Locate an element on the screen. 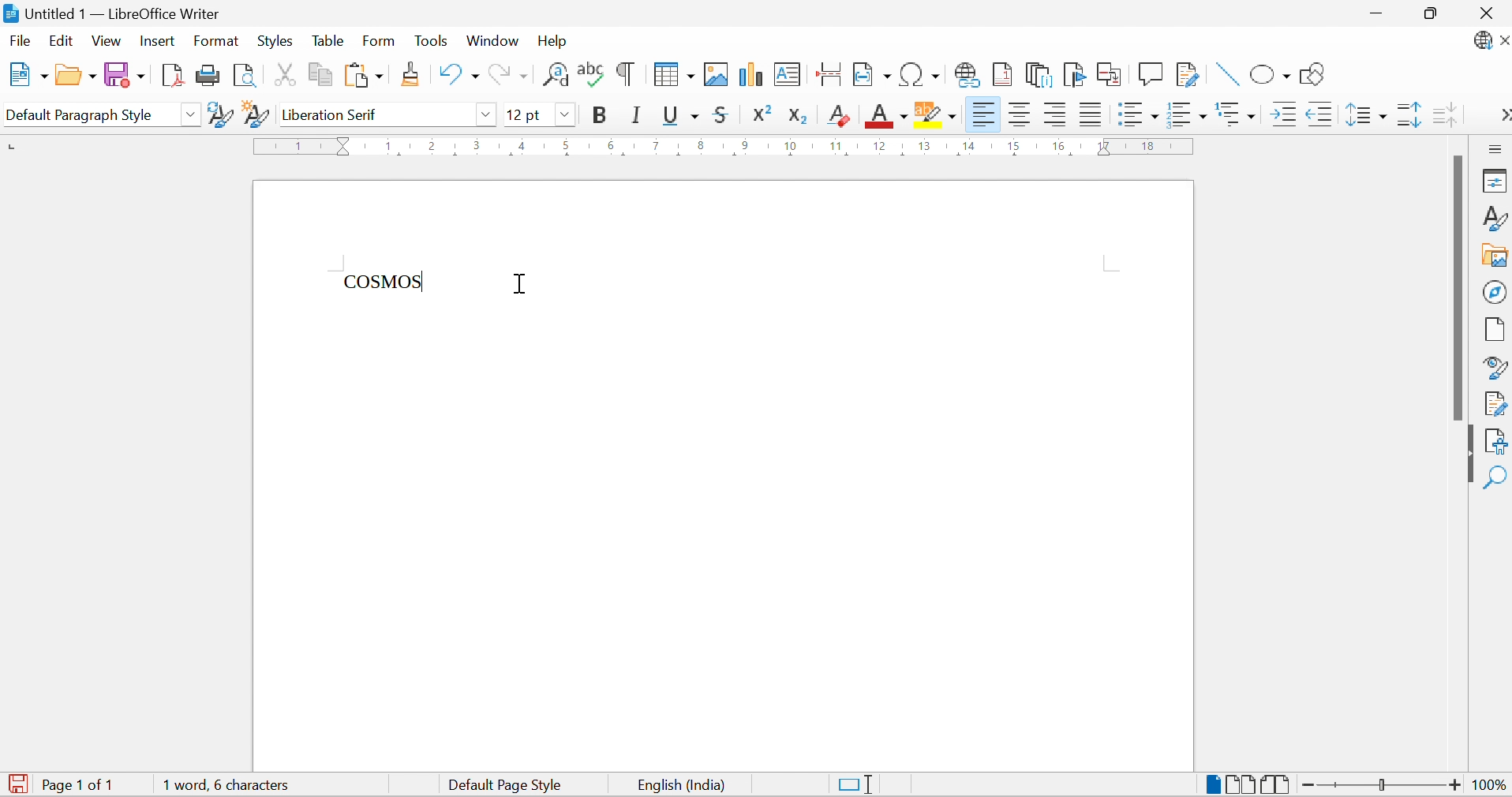 The image size is (1512, 797). Toggle Formatting Marks is located at coordinates (624, 75).